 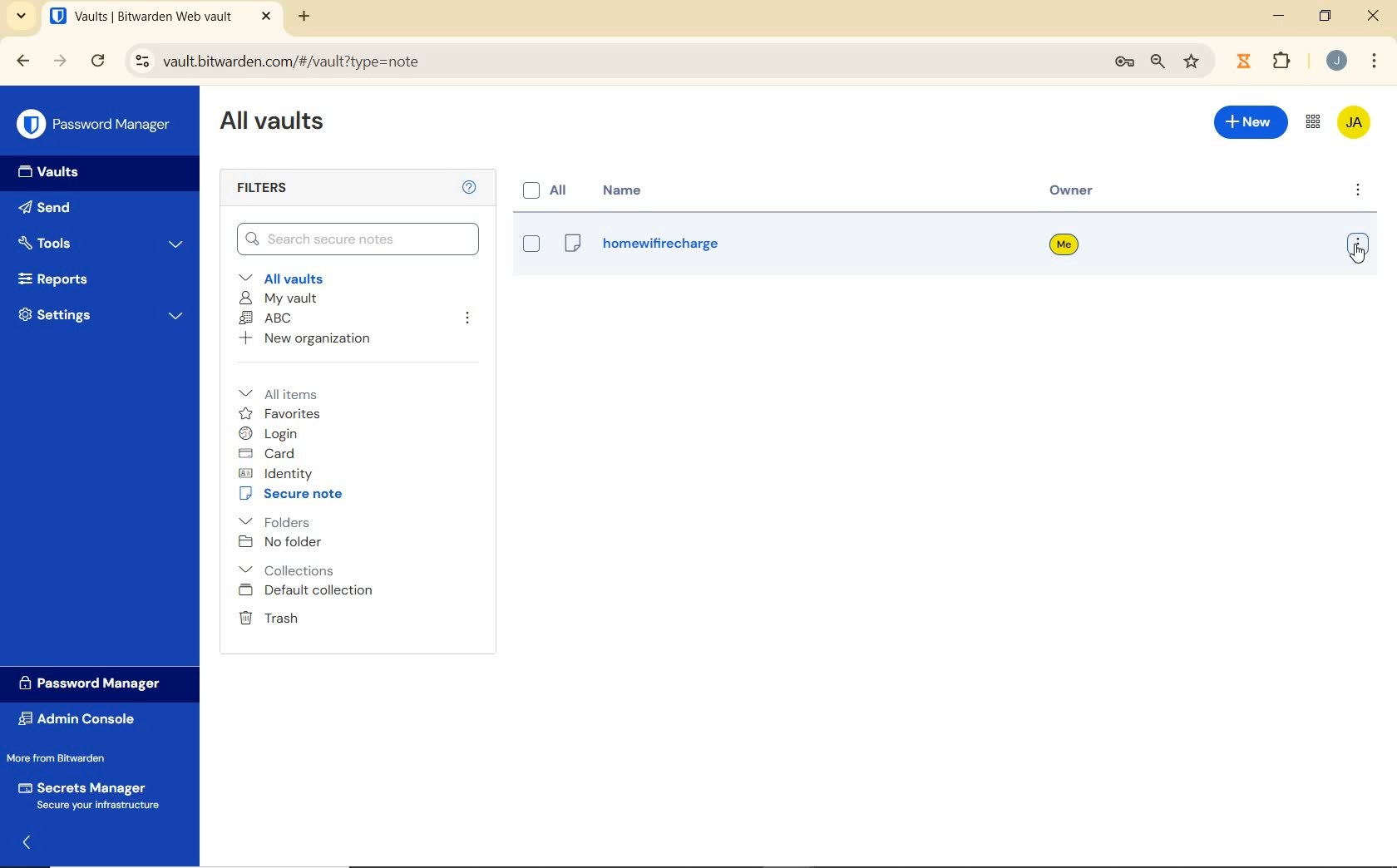 I want to click on toggle between admin console and password manager, so click(x=1313, y=123).